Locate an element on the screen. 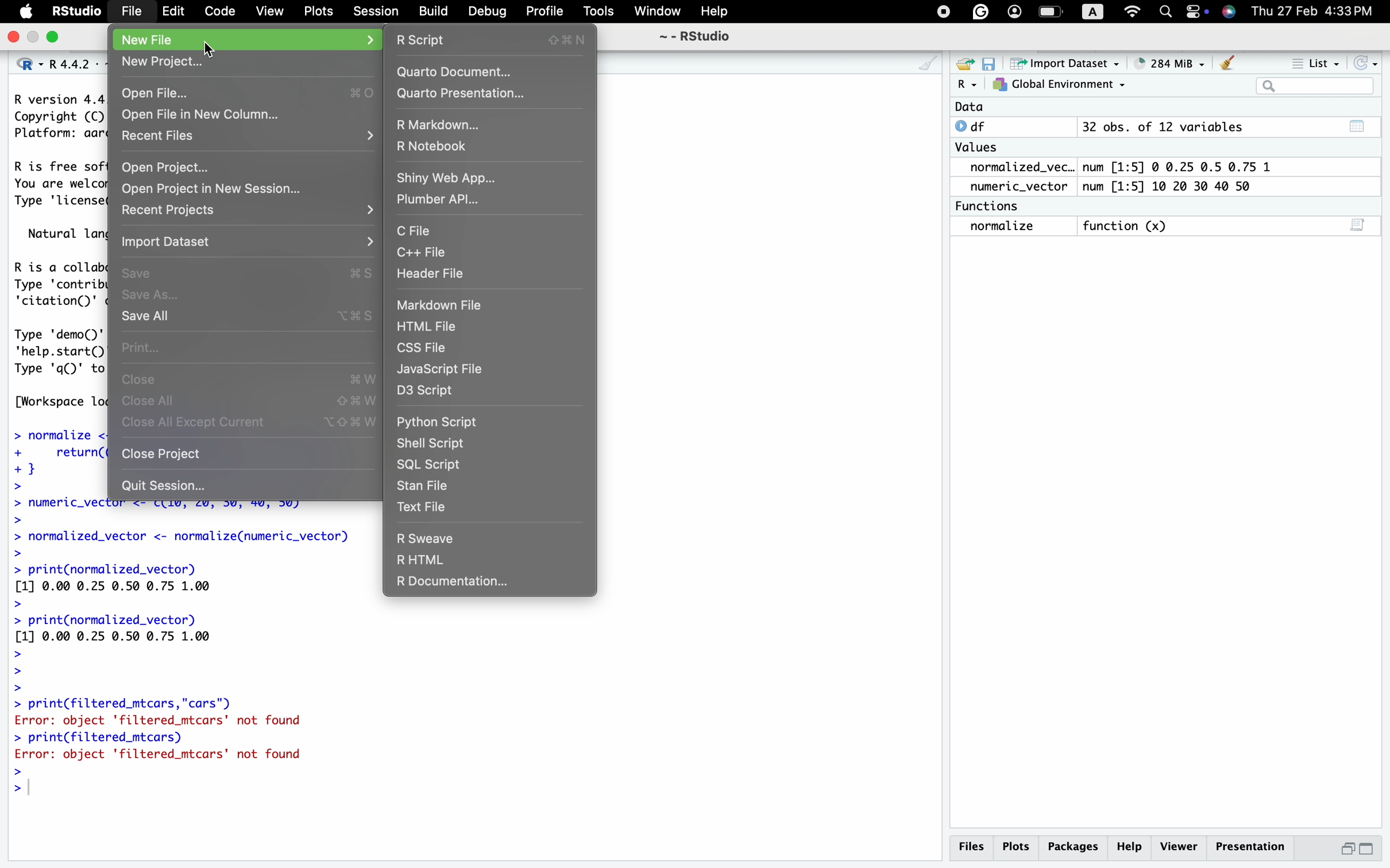 The image size is (1390, 868). Save is located at coordinates (248, 272).